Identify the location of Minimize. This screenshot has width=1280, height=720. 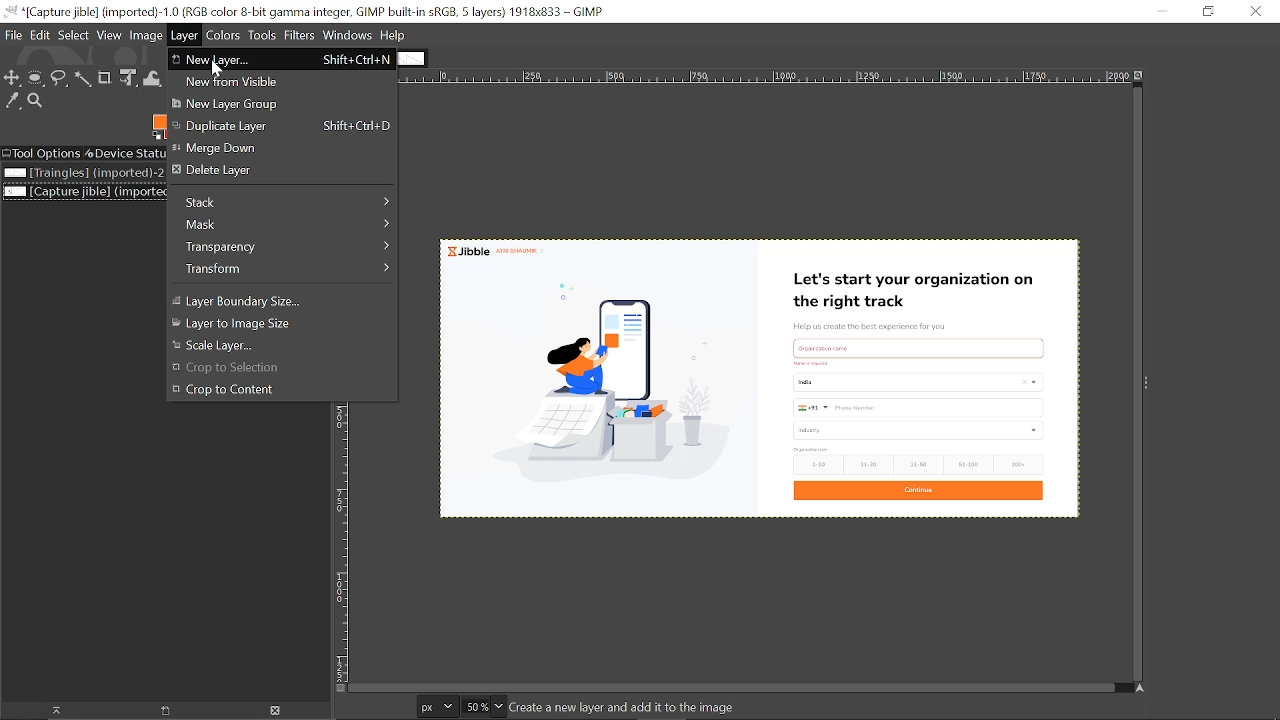
(1162, 12).